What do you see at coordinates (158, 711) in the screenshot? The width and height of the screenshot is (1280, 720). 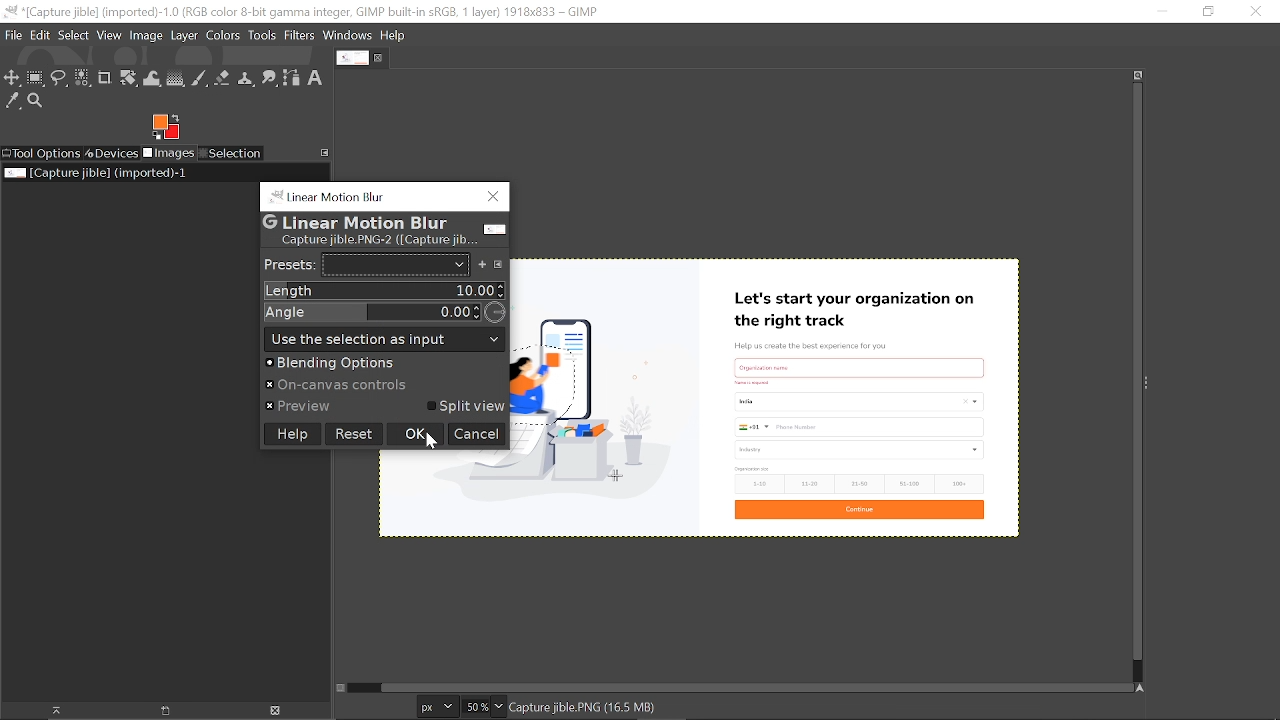 I see `open new display` at bounding box center [158, 711].